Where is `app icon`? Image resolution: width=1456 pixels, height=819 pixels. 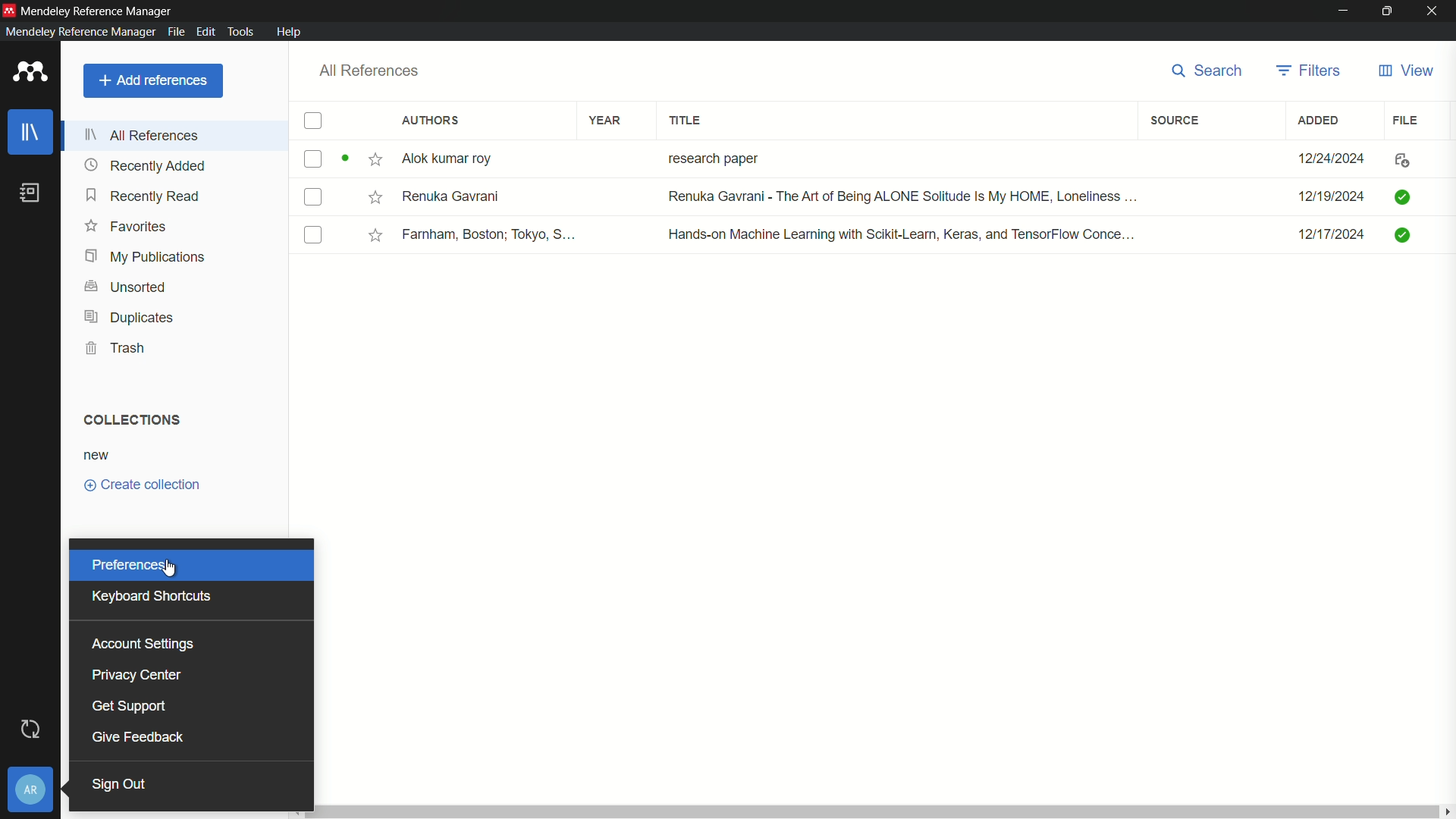 app icon is located at coordinates (9, 9).